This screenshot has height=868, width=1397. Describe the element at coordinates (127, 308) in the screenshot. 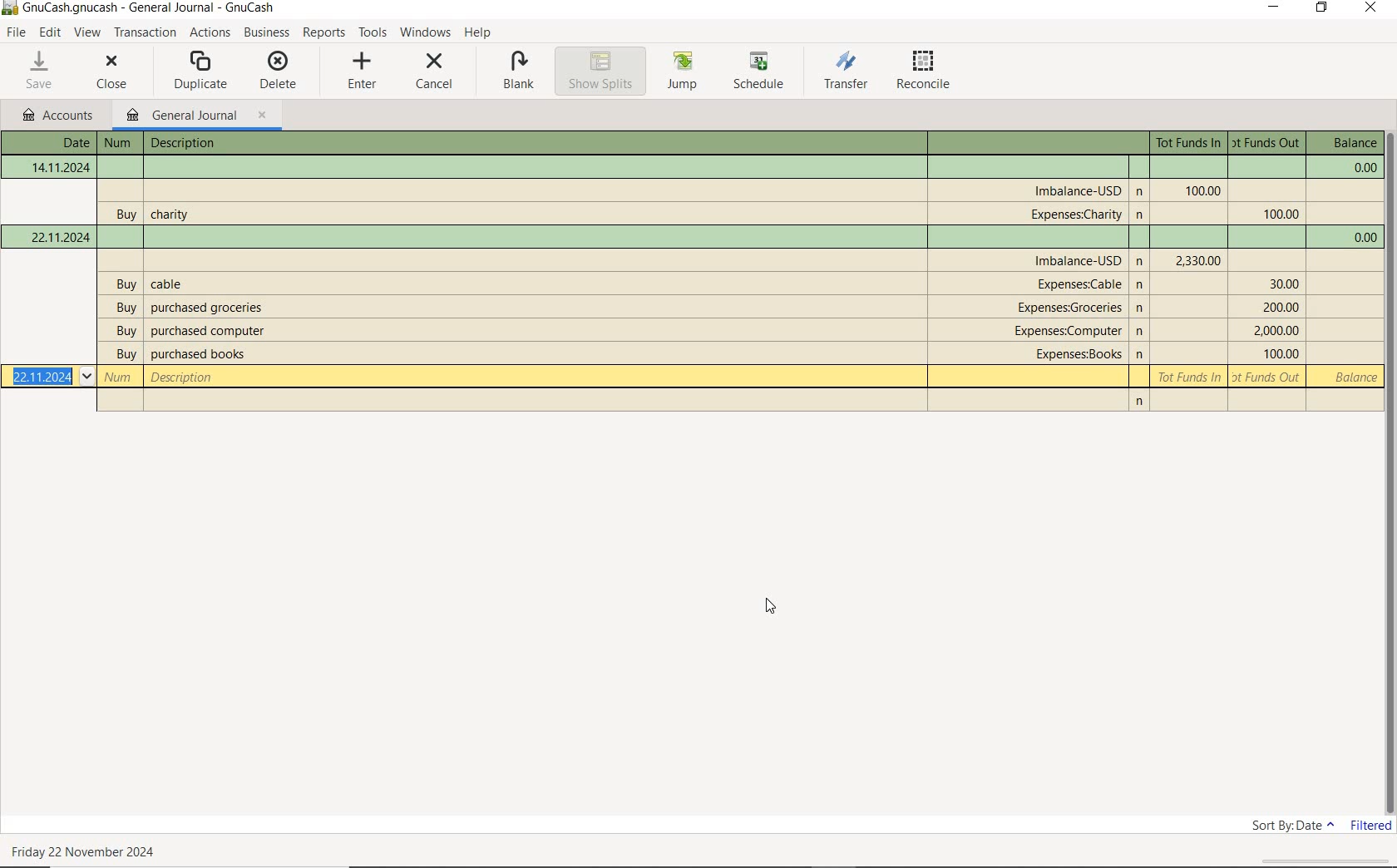

I see `buy` at that location.